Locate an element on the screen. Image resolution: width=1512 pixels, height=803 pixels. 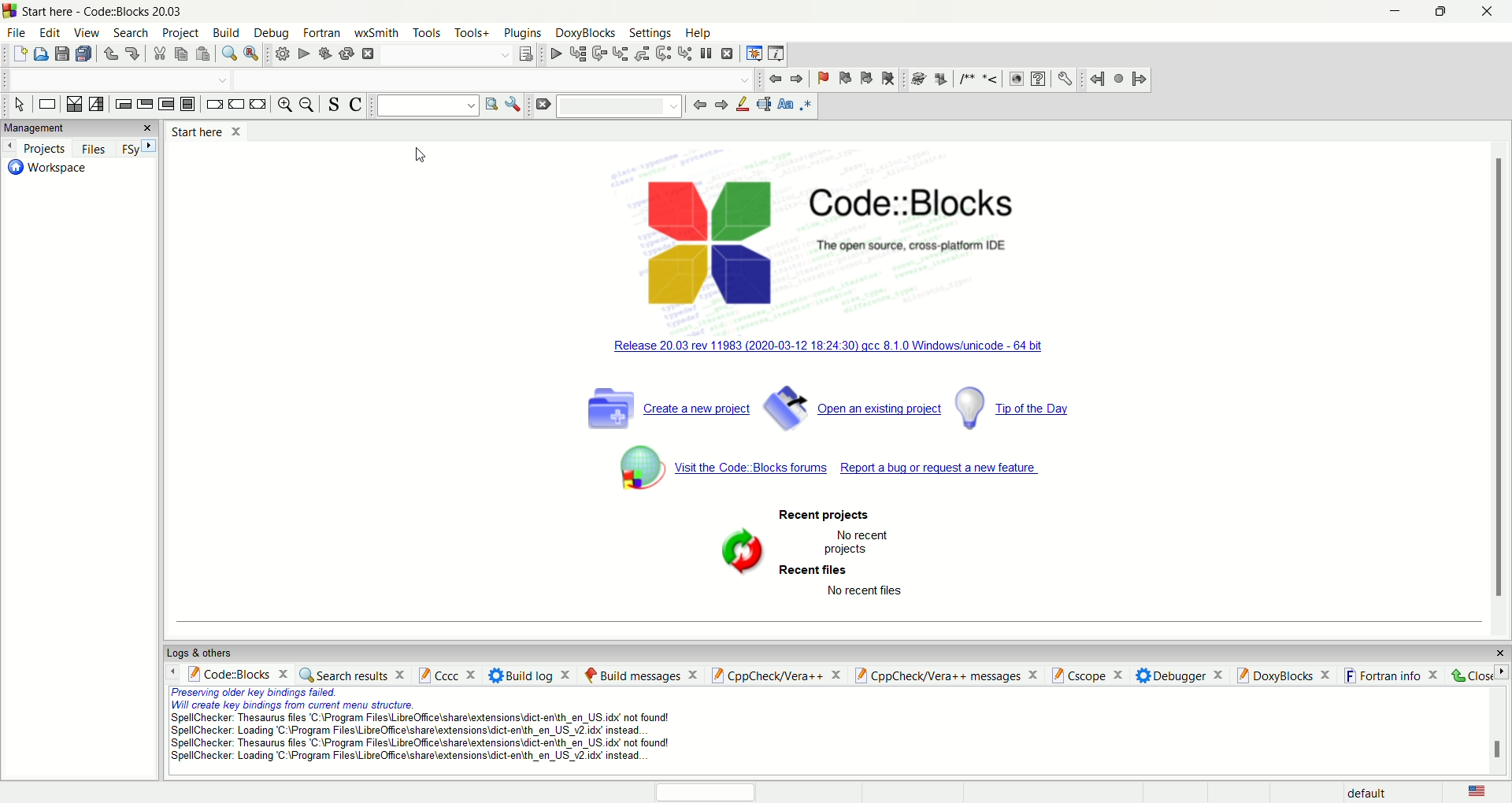
close is located at coordinates (149, 126).